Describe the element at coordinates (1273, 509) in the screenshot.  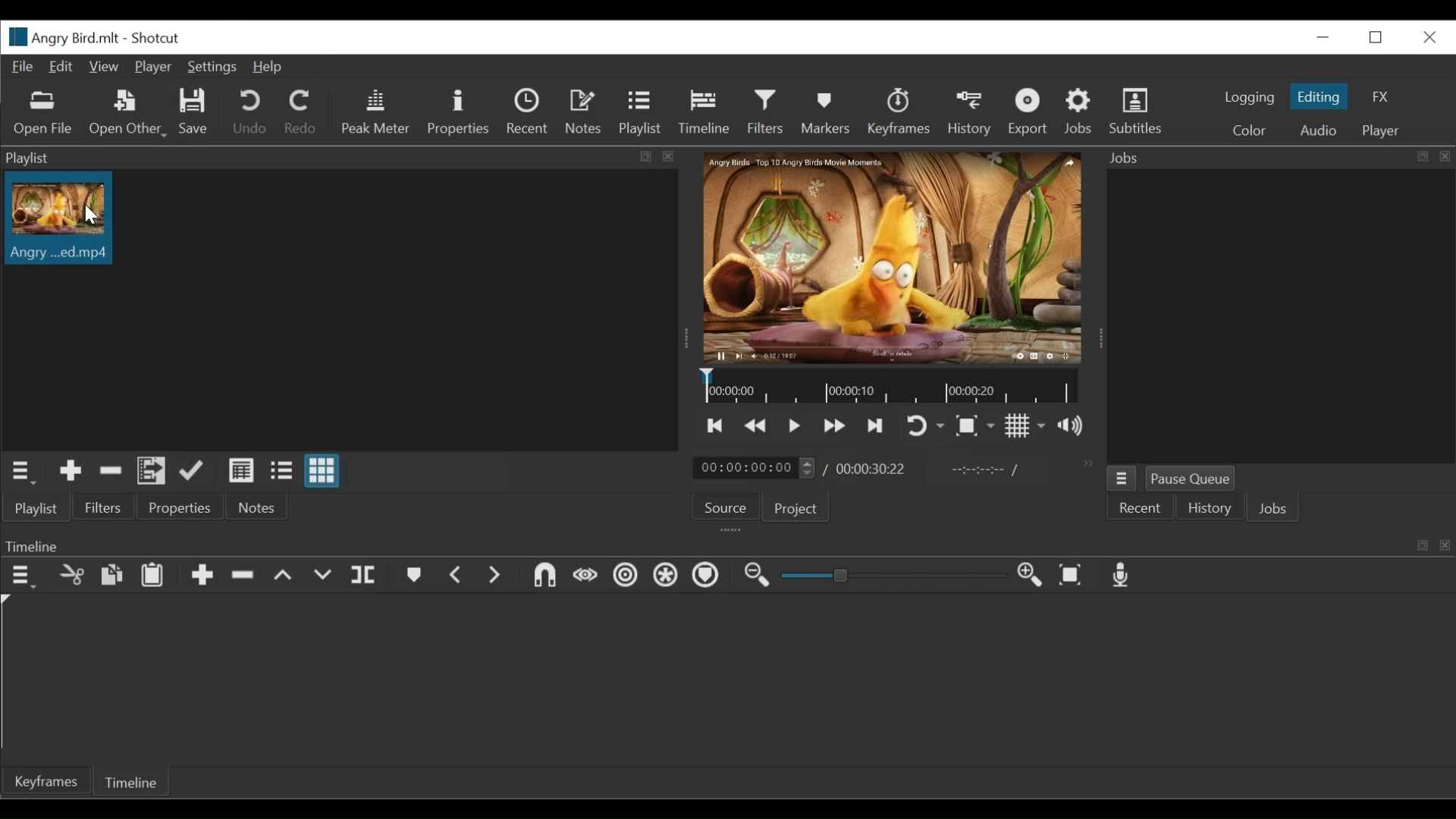
I see `Jobs` at that location.